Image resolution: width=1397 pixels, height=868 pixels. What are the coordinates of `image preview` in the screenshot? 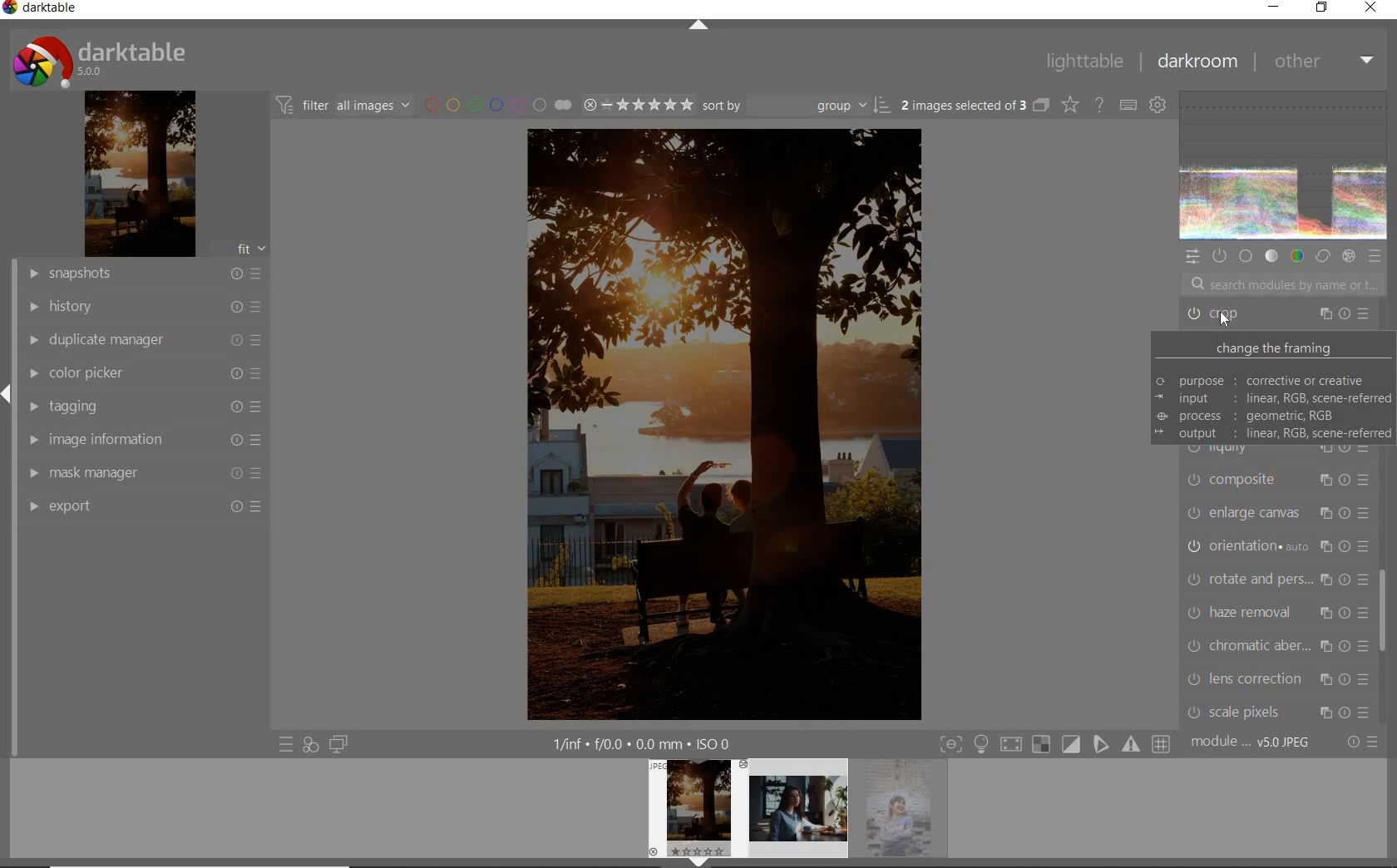 It's located at (694, 808).